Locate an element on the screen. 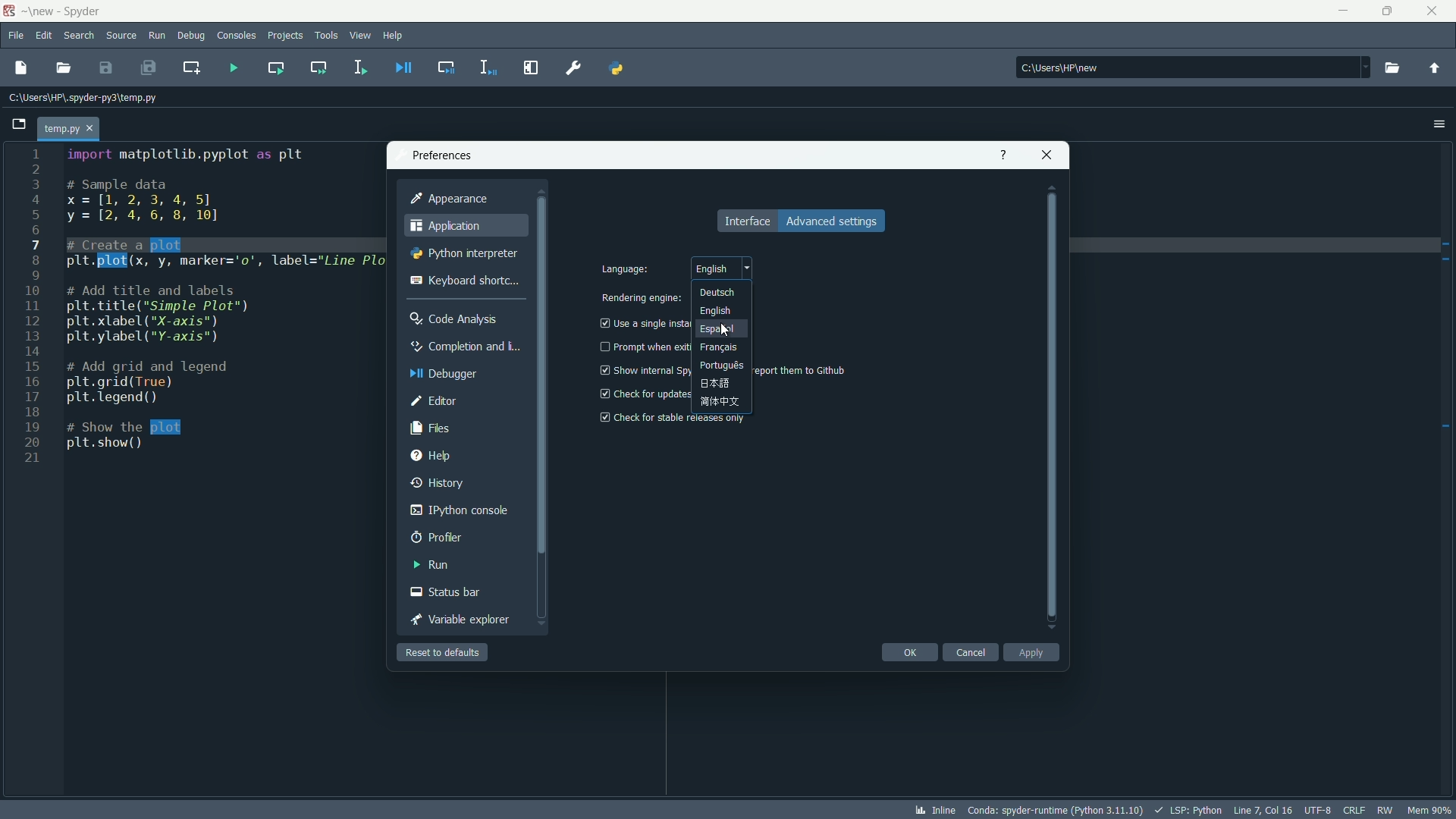  tools is located at coordinates (327, 36).